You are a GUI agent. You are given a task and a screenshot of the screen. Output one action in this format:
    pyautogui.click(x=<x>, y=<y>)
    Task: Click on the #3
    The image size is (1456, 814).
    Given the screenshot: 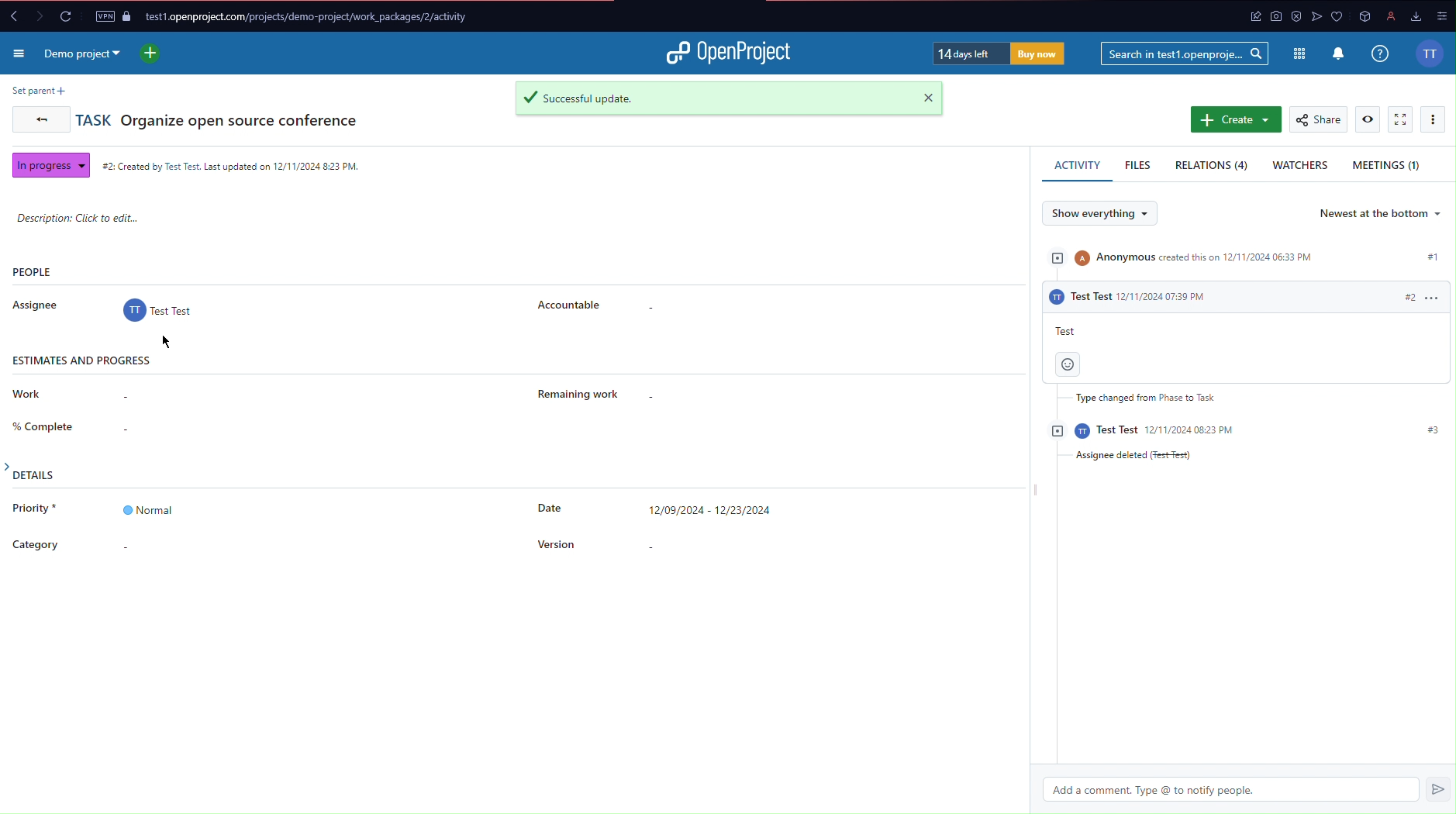 What is the action you would take?
    pyautogui.click(x=1416, y=424)
    